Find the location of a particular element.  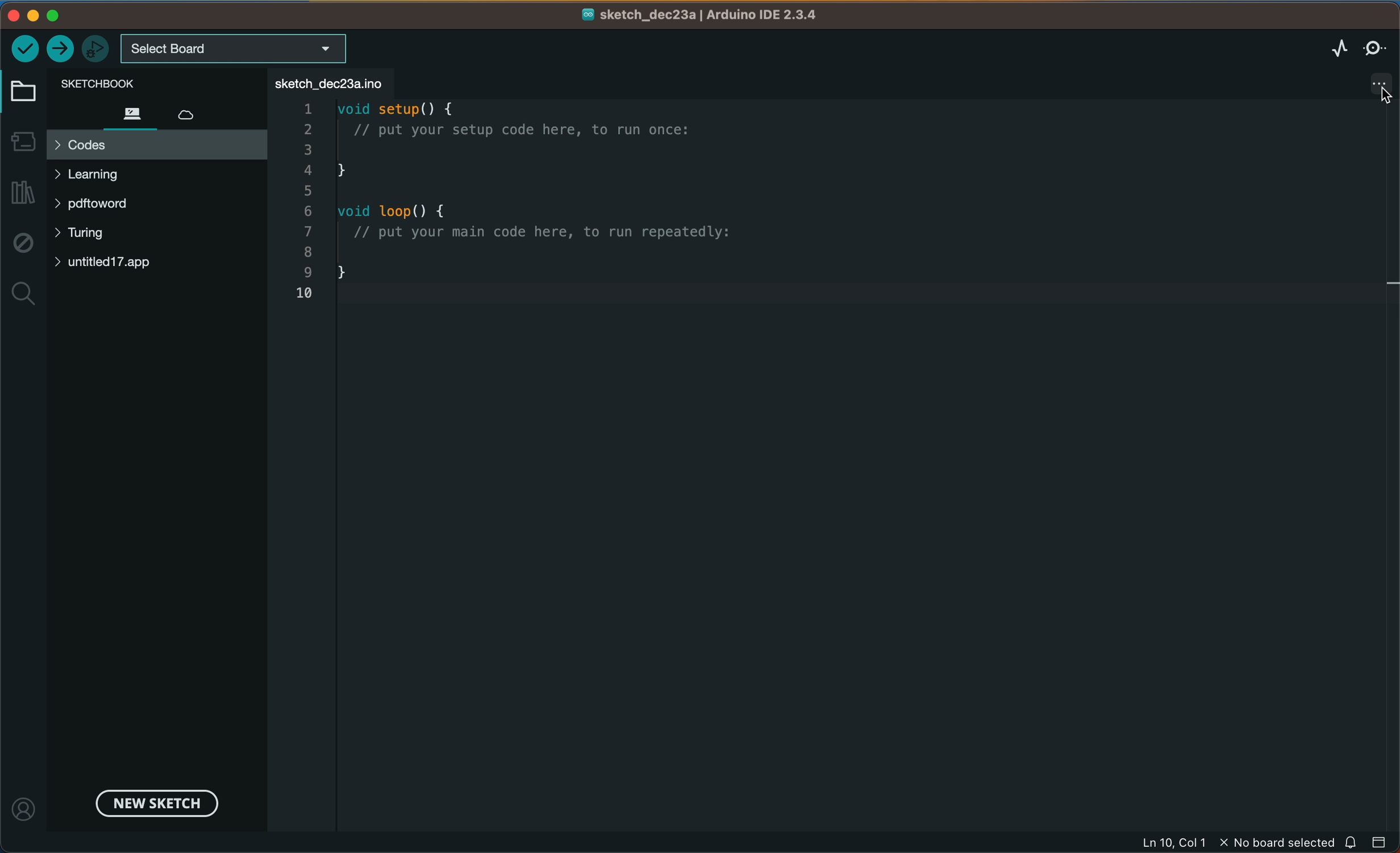

window control is located at coordinates (49, 15).